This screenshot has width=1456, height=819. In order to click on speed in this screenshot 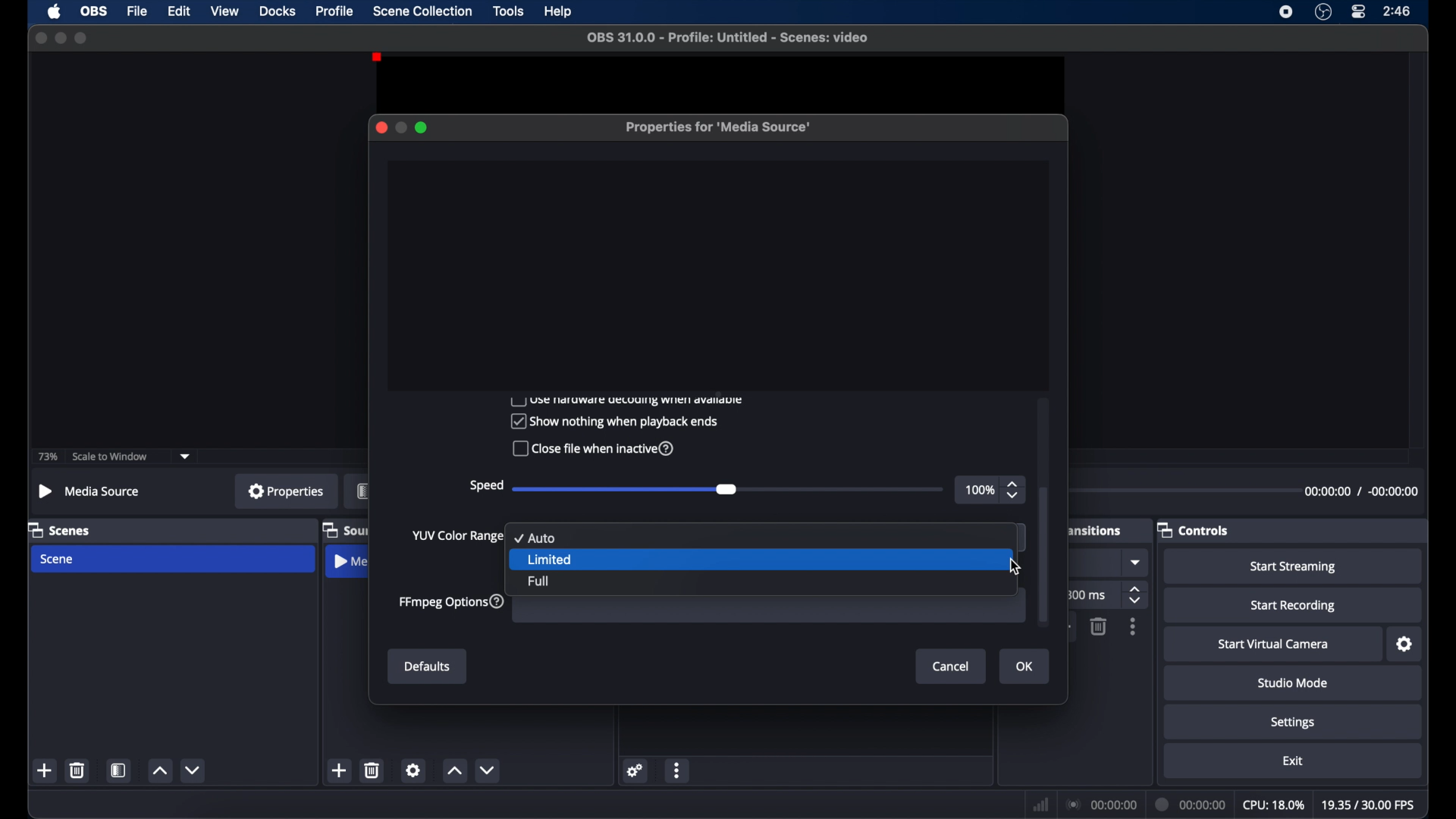, I will do `click(485, 484)`.